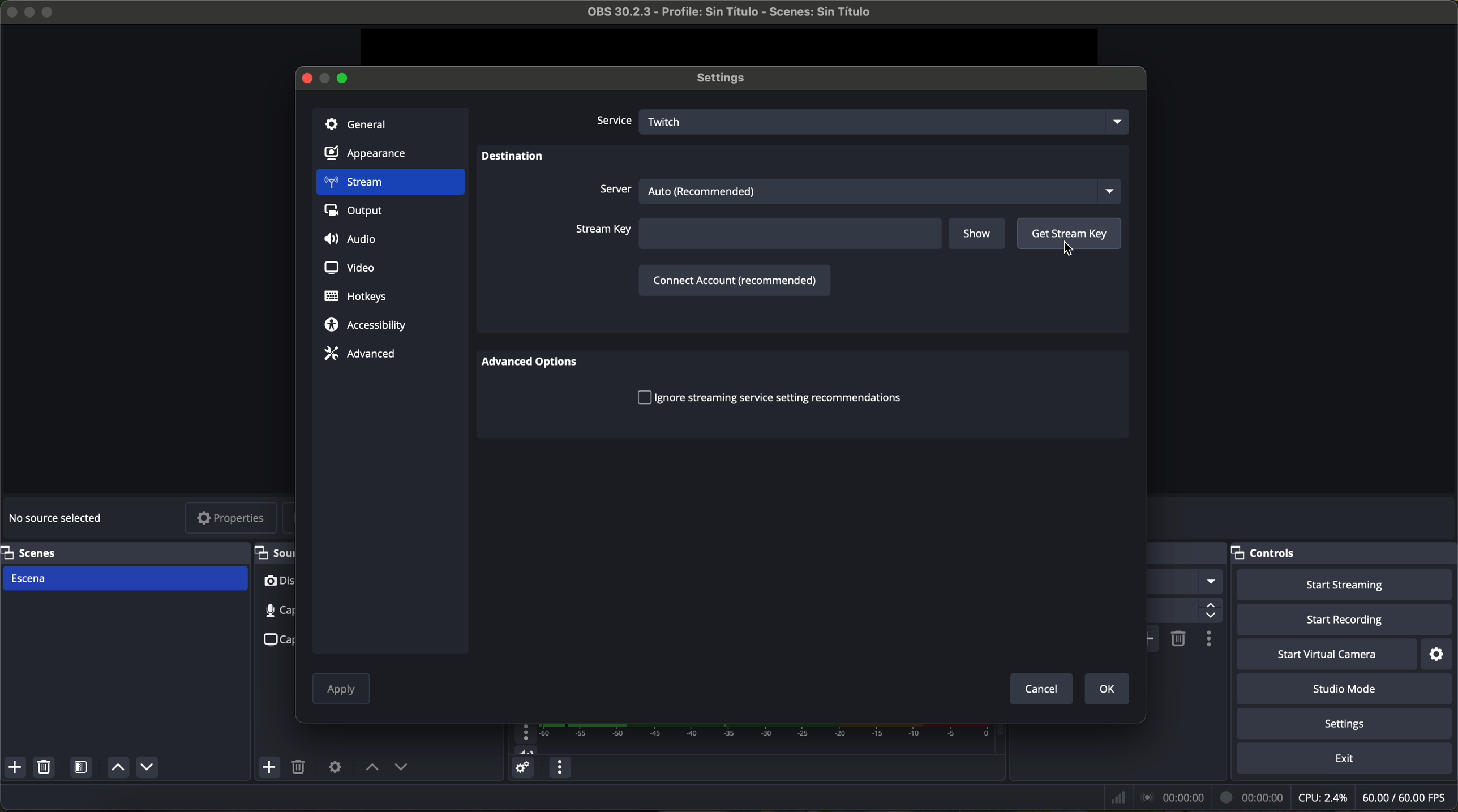 The image size is (1458, 812). I want to click on data, so click(1277, 797).